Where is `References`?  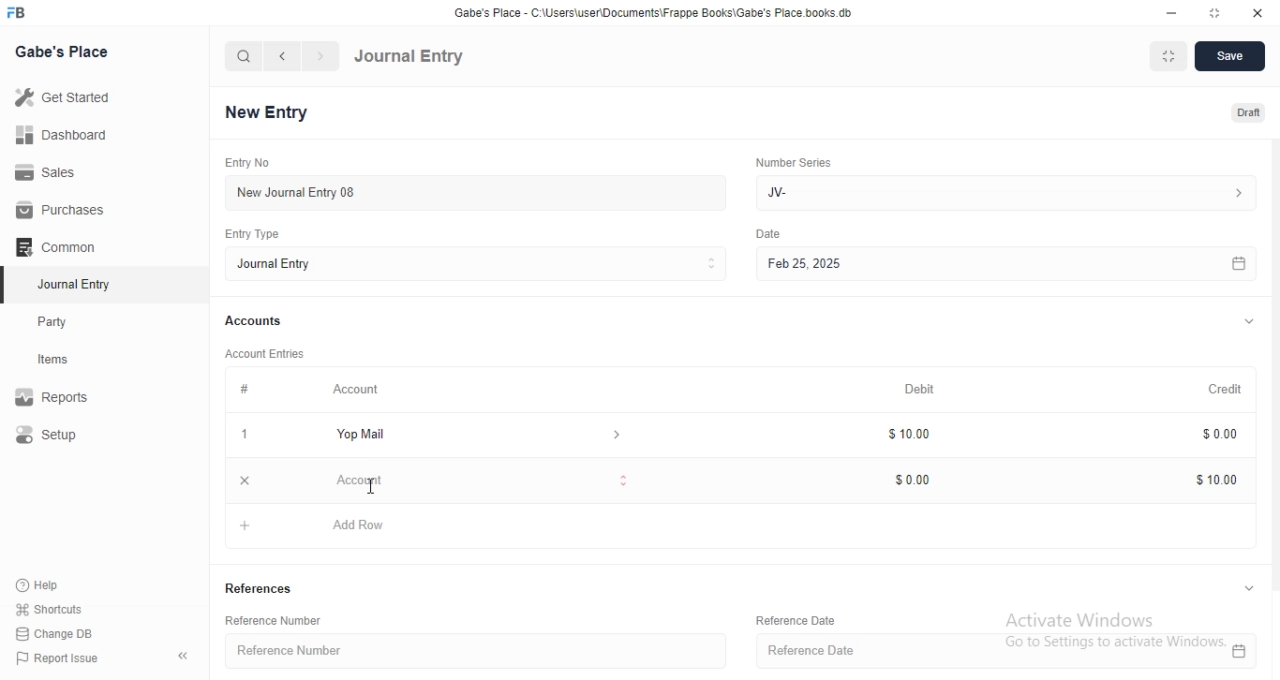
References is located at coordinates (262, 588).